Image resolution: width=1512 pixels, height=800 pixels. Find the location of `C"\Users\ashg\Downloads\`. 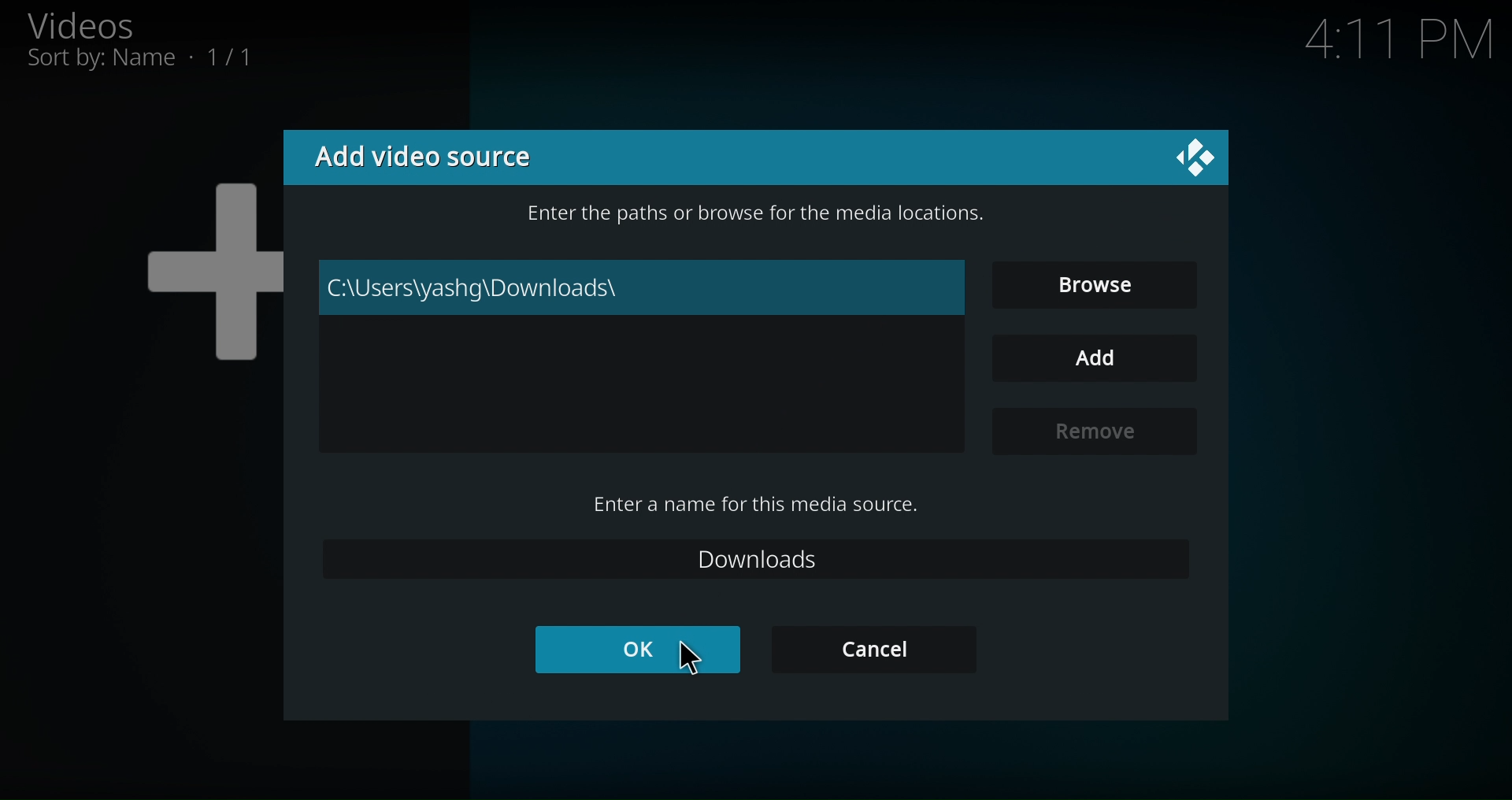

C"\Users\ashg\Downloads\ is located at coordinates (644, 286).